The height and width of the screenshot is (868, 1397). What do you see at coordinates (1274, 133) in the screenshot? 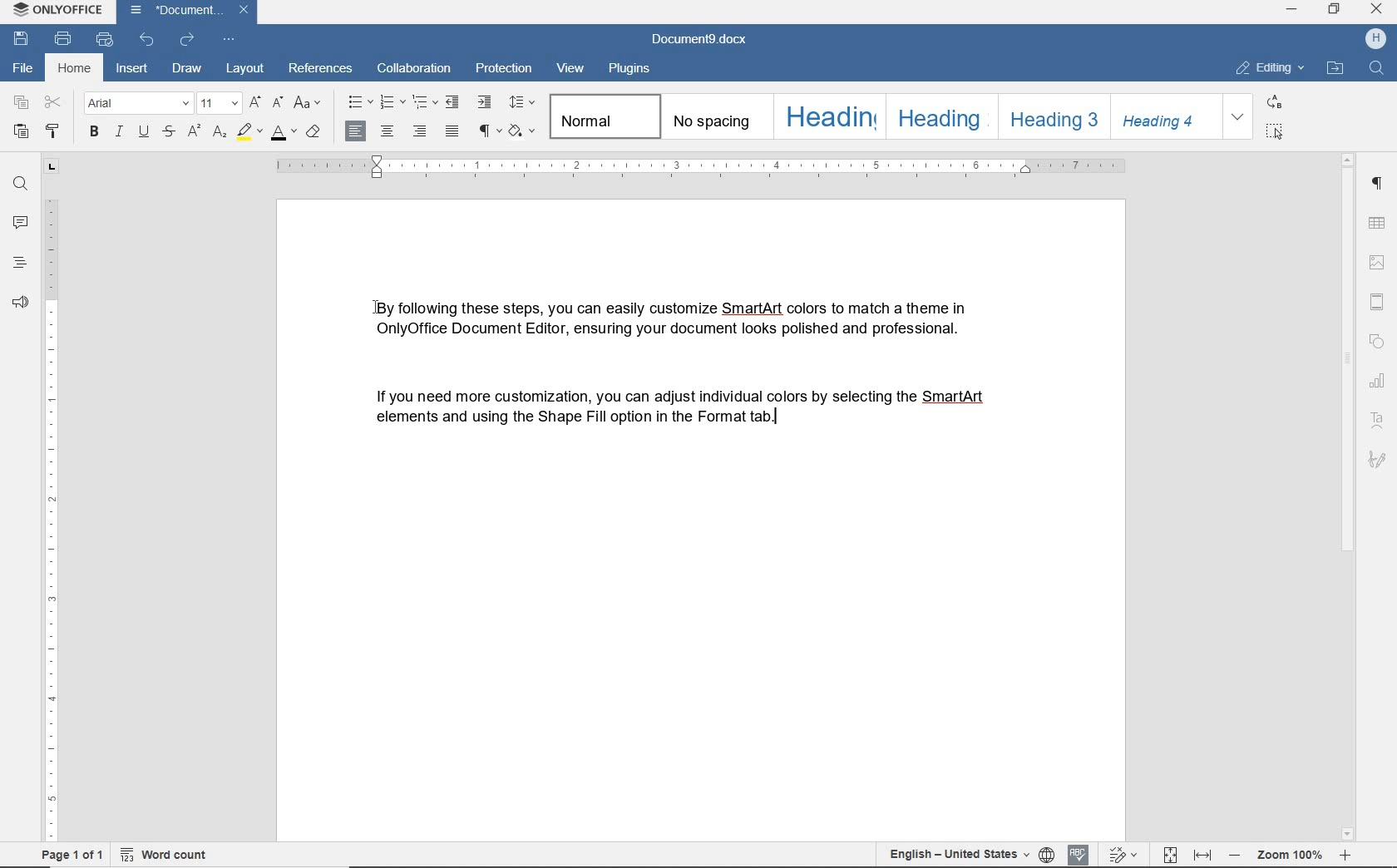
I see `select all` at bounding box center [1274, 133].